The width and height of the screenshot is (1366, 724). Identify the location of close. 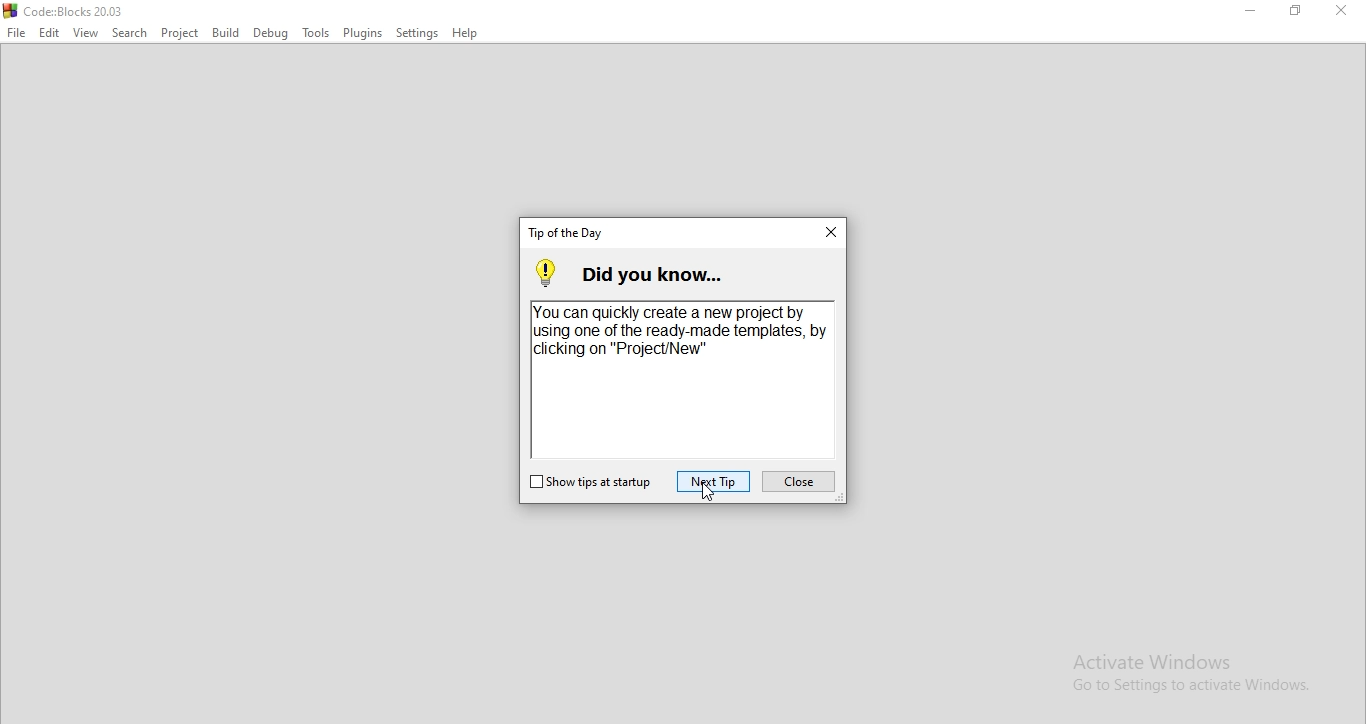
(826, 233).